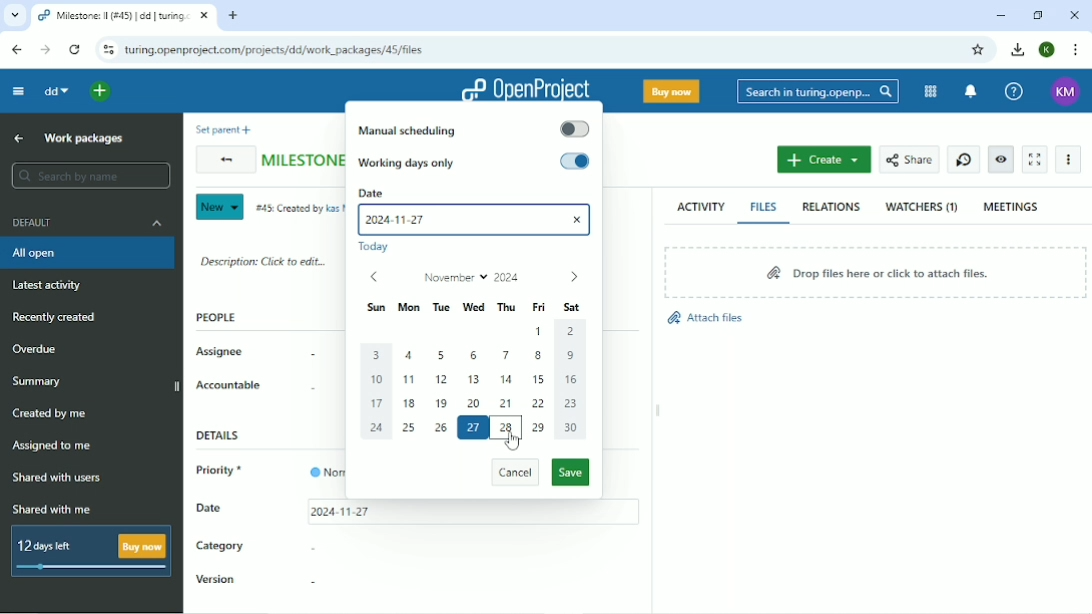 This screenshot has height=614, width=1092. I want to click on toggle, so click(574, 129).